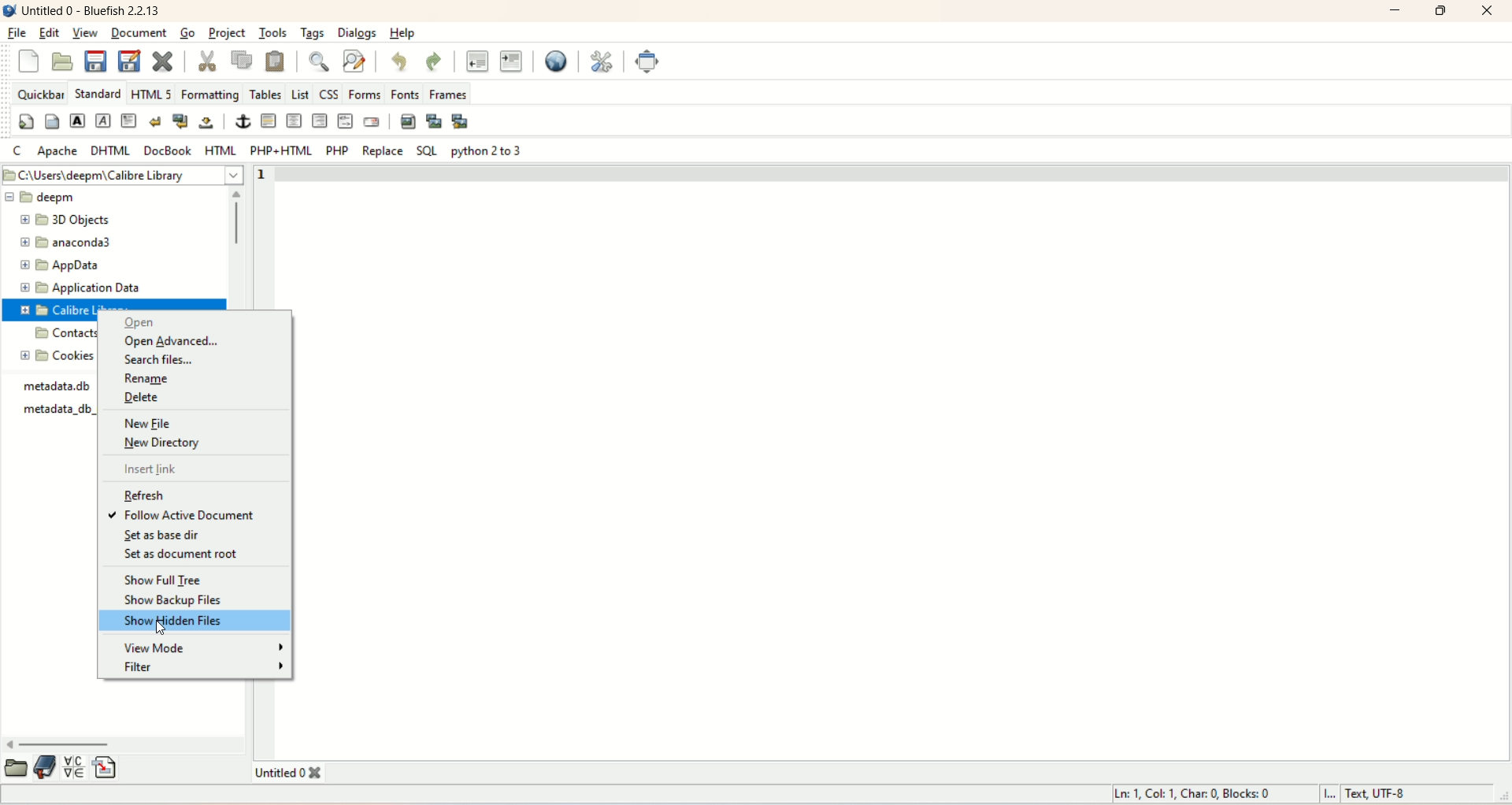 This screenshot has width=1512, height=805. I want to click on quick start, so click(25, 121).